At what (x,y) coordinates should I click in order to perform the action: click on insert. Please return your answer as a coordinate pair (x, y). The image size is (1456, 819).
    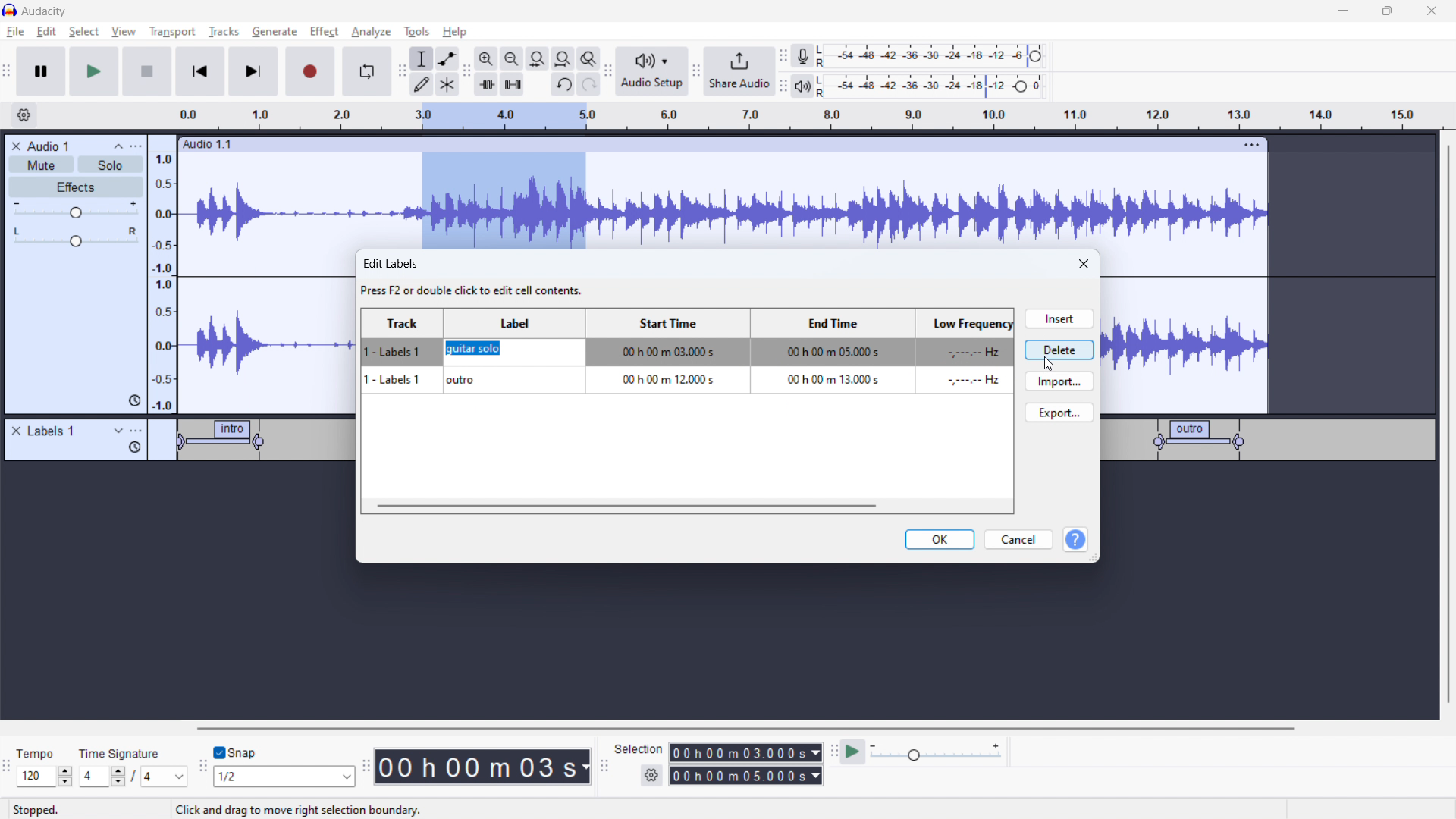
    Looking at the image, I should click on (1058, 318).